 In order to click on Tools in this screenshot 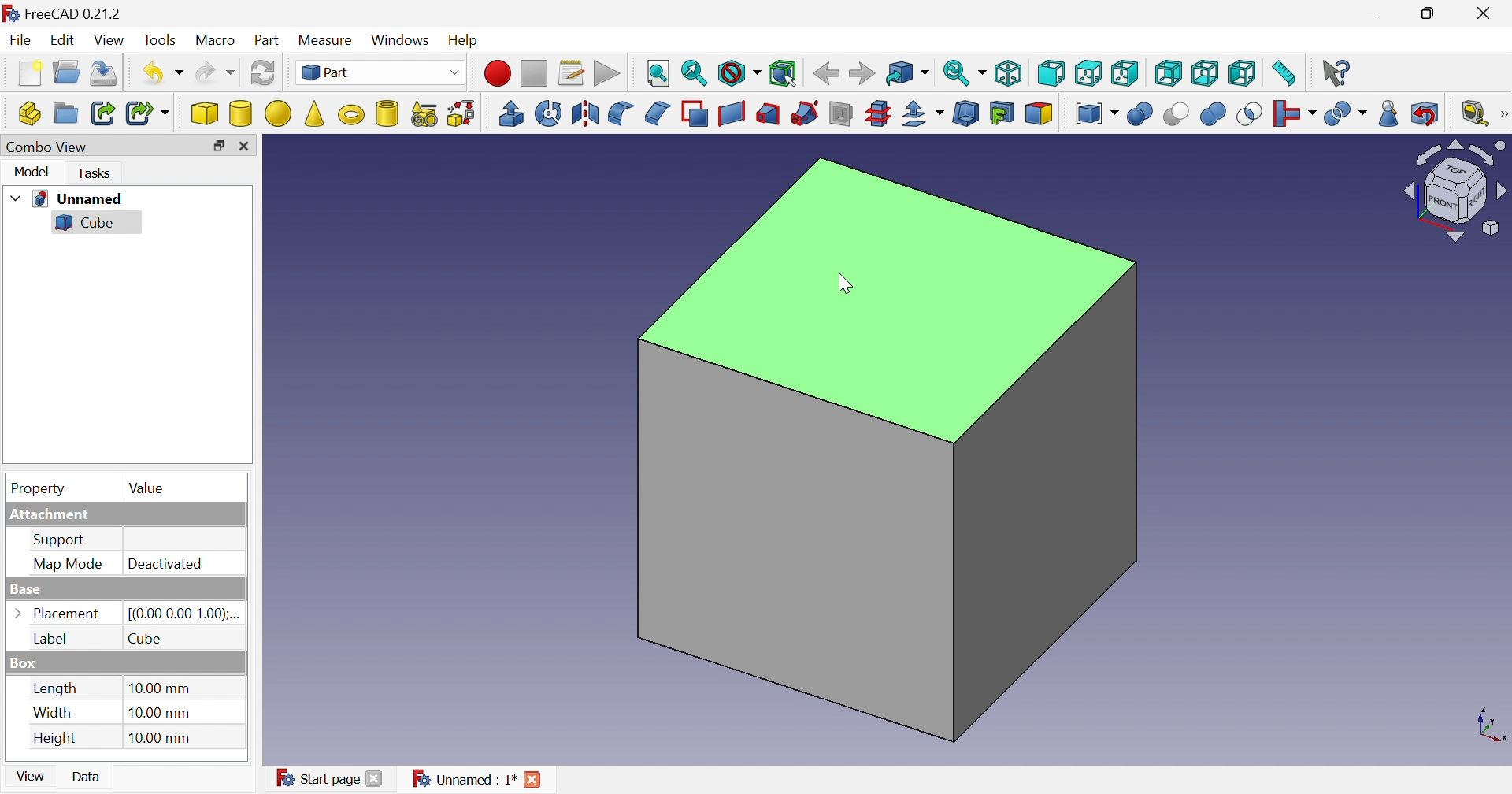, I will do `click(161, 40)`.